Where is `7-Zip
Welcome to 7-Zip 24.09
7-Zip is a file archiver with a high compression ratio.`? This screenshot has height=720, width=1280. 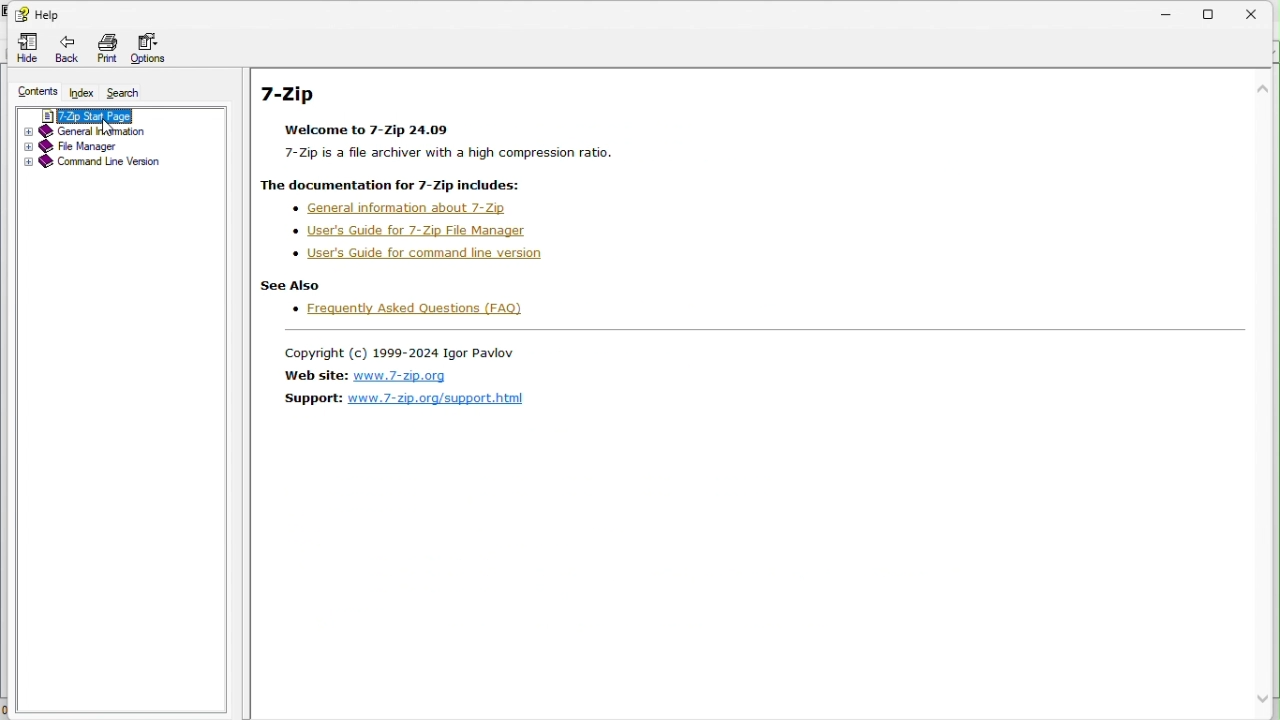
7-Zip
Welcome to 7-Zip 24.09
7-Zip is a file archiver with a high compression ratio. is located at coordinates (450, 122).